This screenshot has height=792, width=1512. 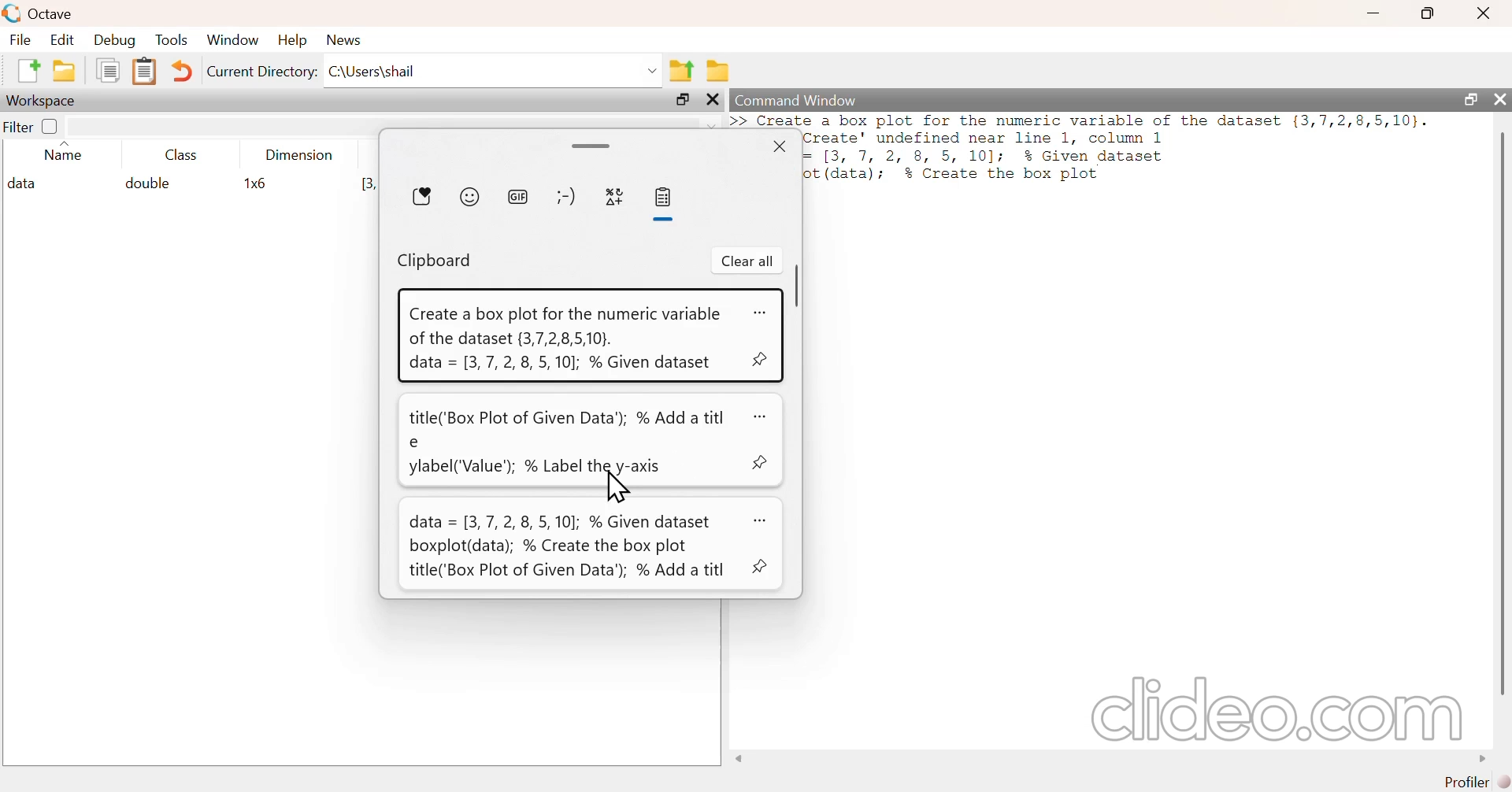 I want to click on name, so click(x=60, y=155).